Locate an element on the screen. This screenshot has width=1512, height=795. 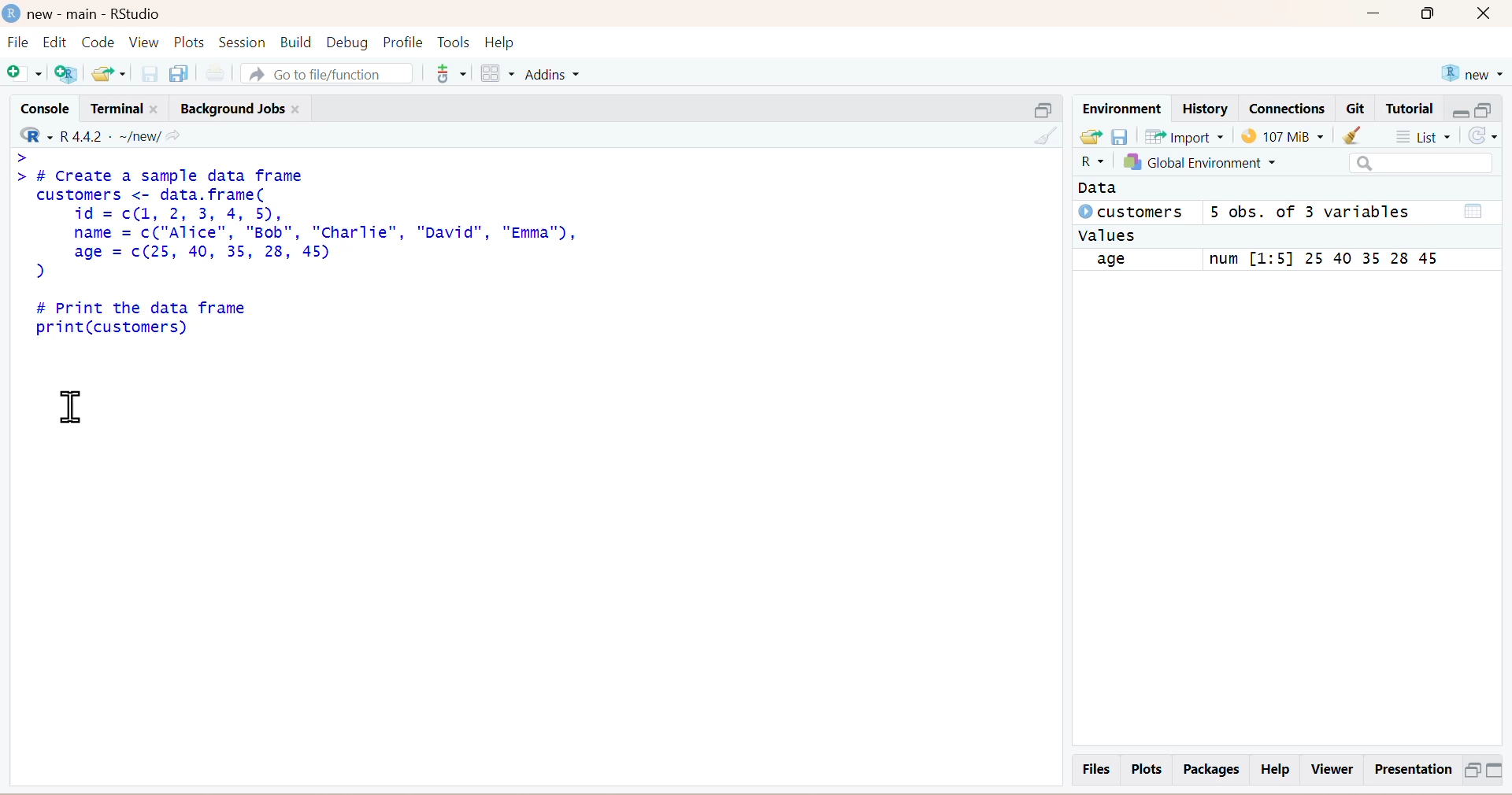
new is located at coordinates (1471, 71).